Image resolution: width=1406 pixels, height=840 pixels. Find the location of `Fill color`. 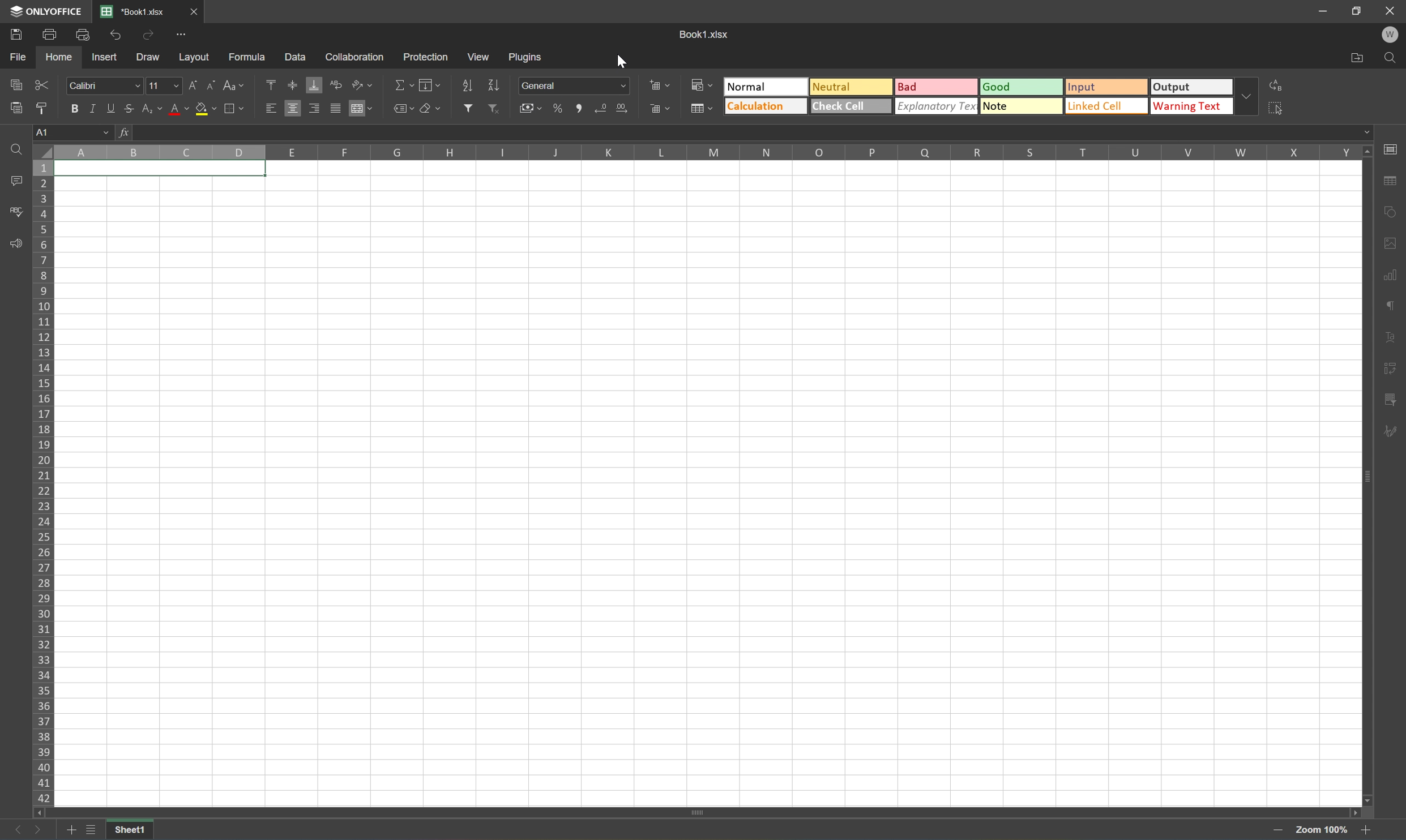

Fill color is located at coordinates (206, 109).